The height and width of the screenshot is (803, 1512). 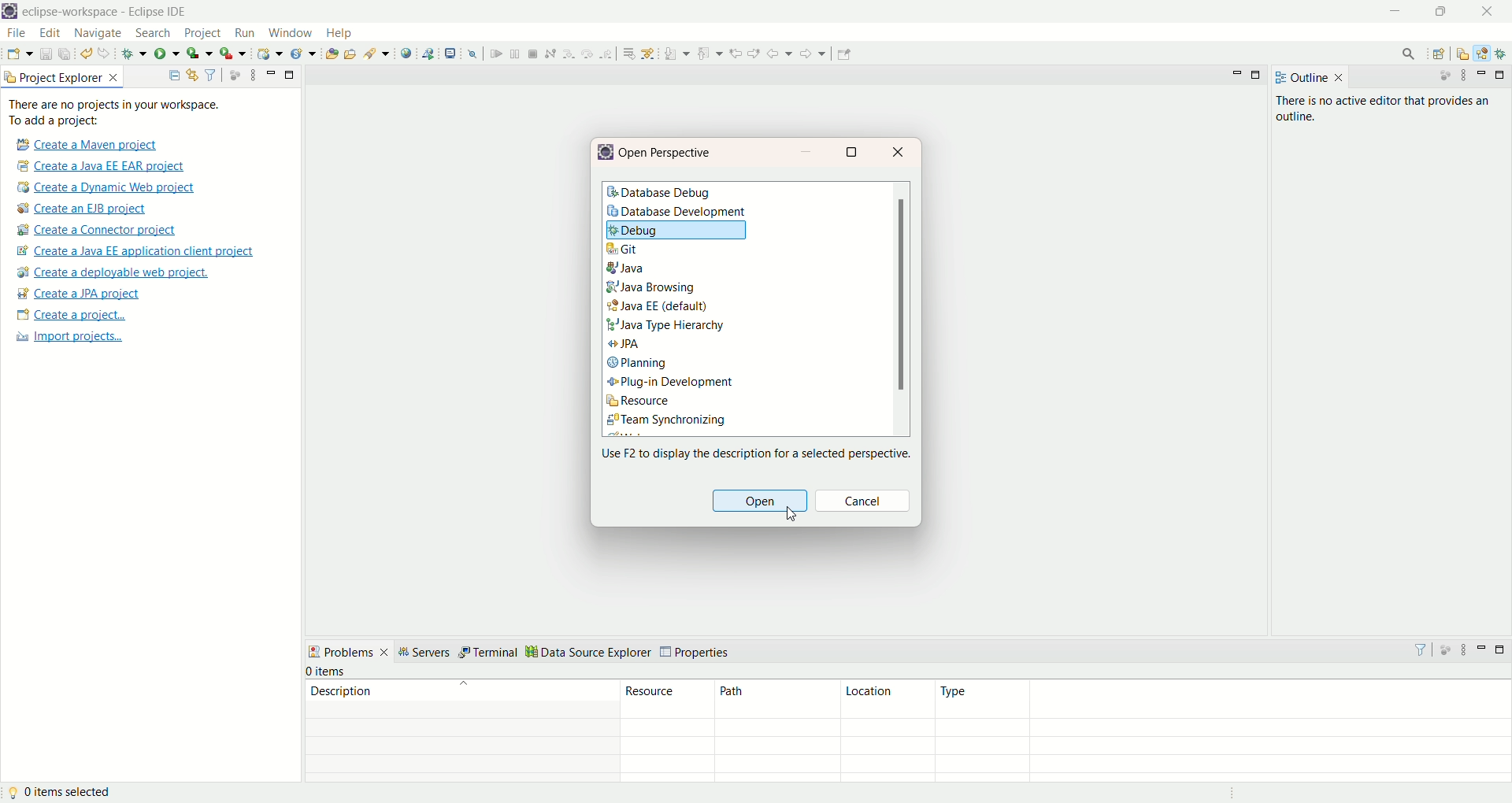 What do you see at coordinates (568, 54) in the screenshot?
I see `step into` at bounding box center [568, 54].